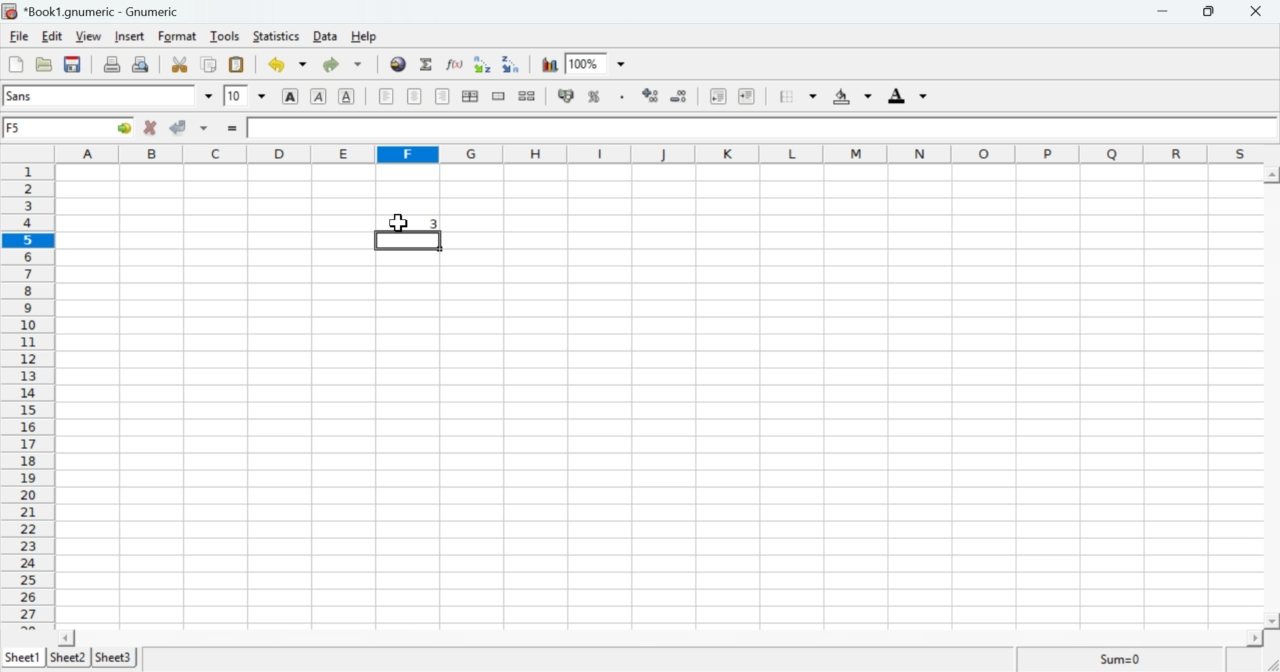  Describe the element at coordinates (226, 36) in the screenshot. I see `Tools` at that location.